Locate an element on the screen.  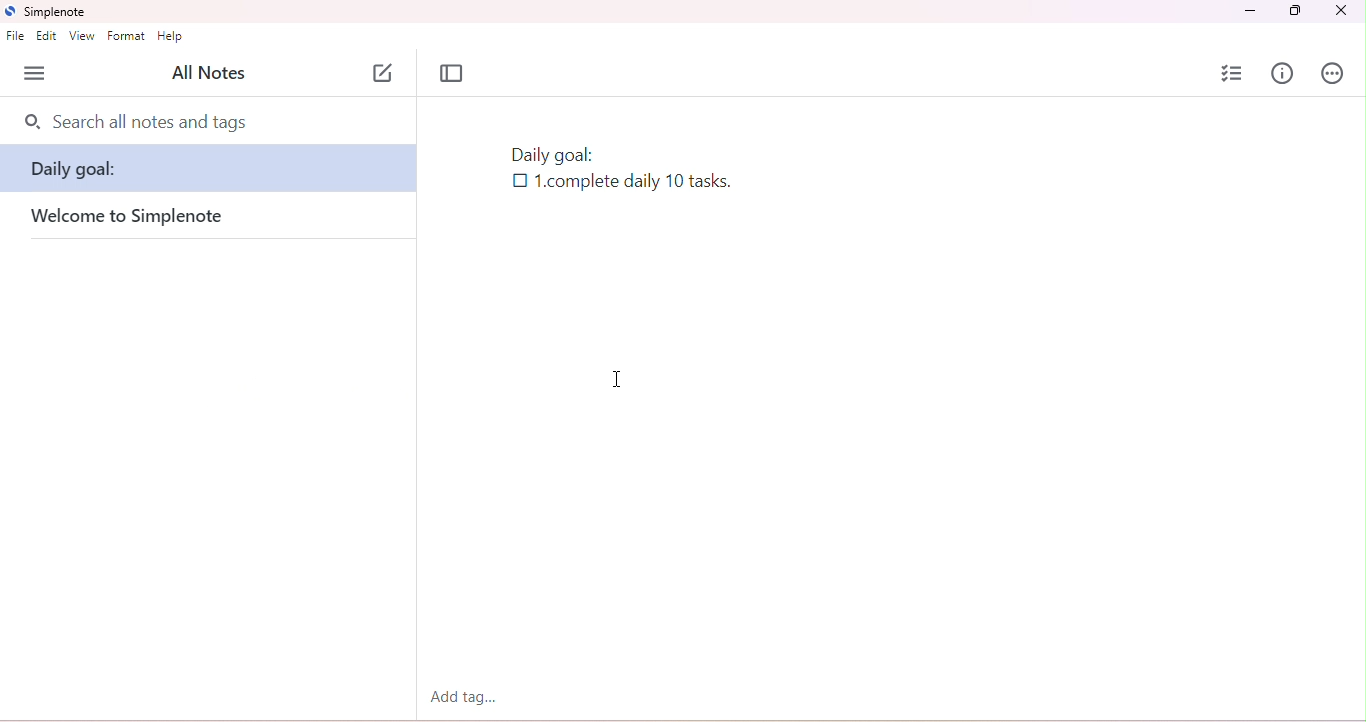
close is located at coordinates (1340, 10).